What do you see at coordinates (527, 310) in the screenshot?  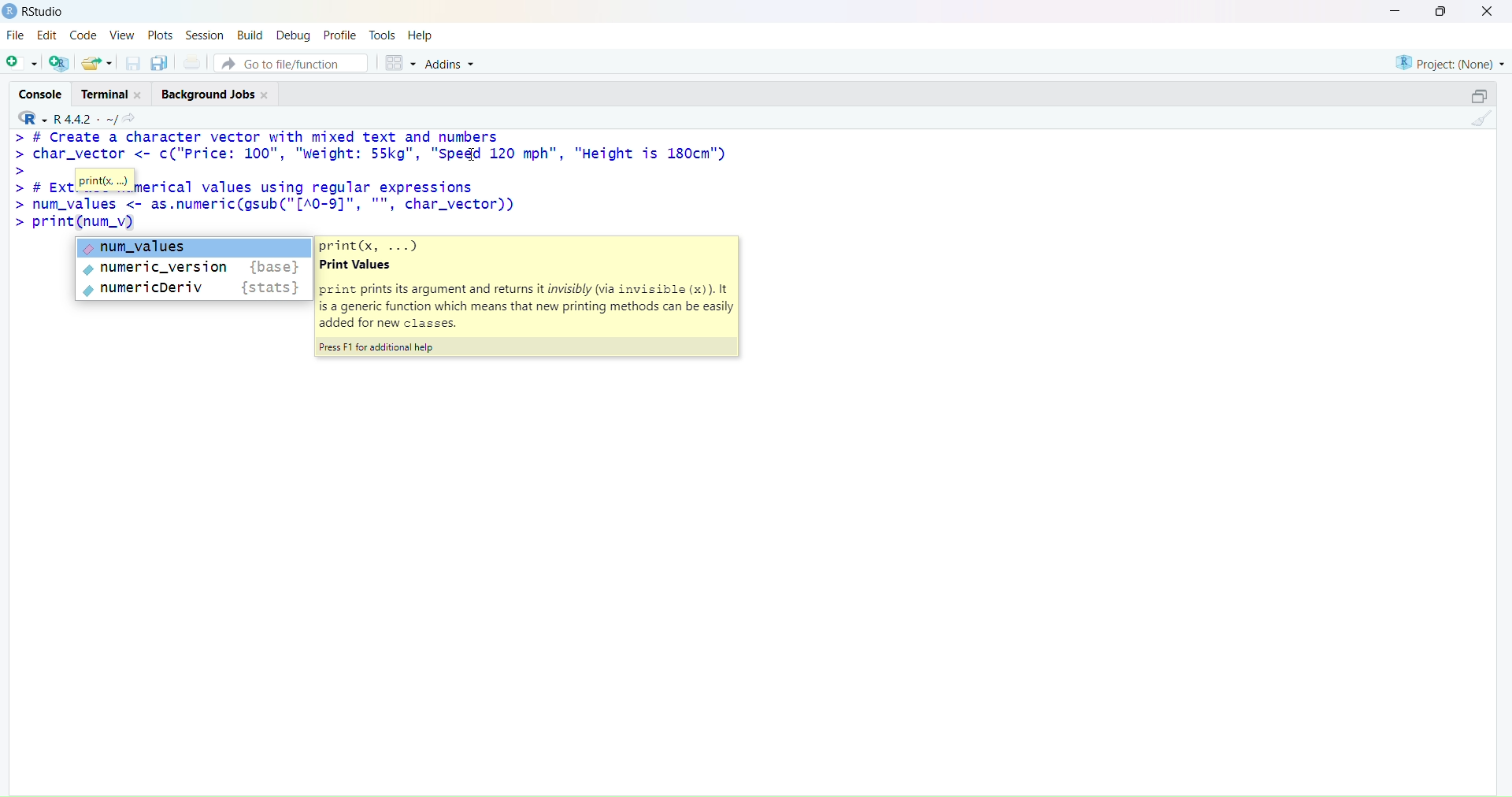 I see `print prints its argument and returns itivisibly (via invisible (x). It
is a generic function which means that new printing methods can be easily
added for new classes.` at bounding box center [527, 310].